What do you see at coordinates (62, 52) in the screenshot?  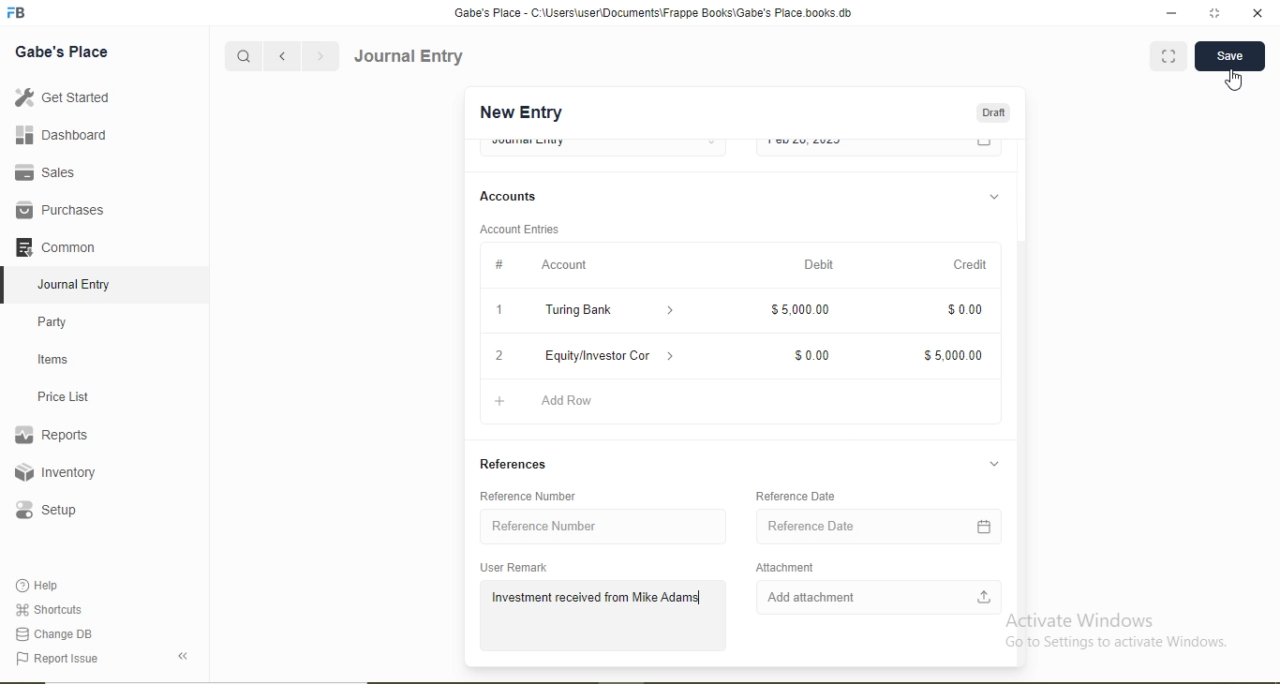 I see `Gabe's Place` at bounding box center [62, 52].